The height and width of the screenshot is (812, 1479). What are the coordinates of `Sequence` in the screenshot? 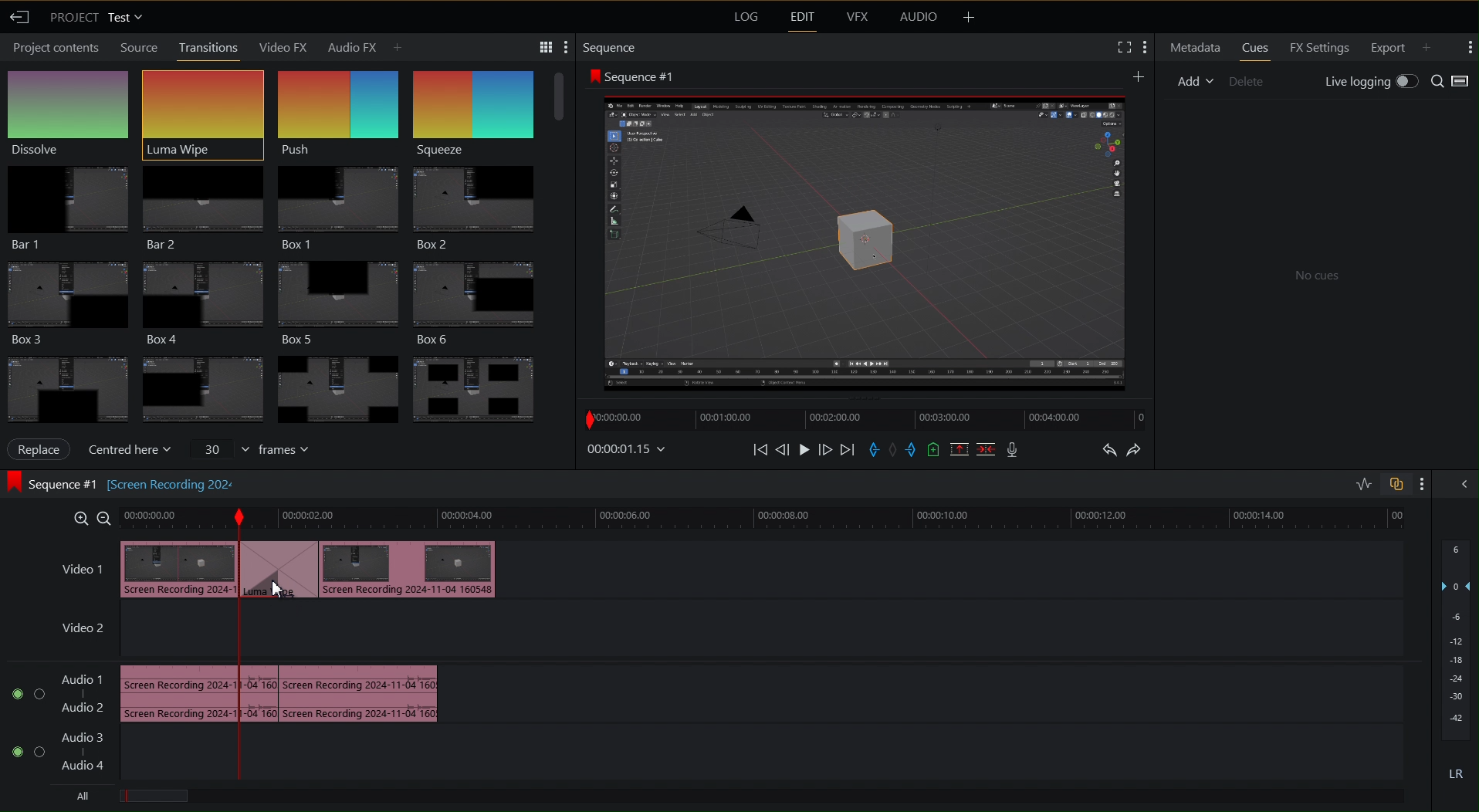 It's located at (611, 46).